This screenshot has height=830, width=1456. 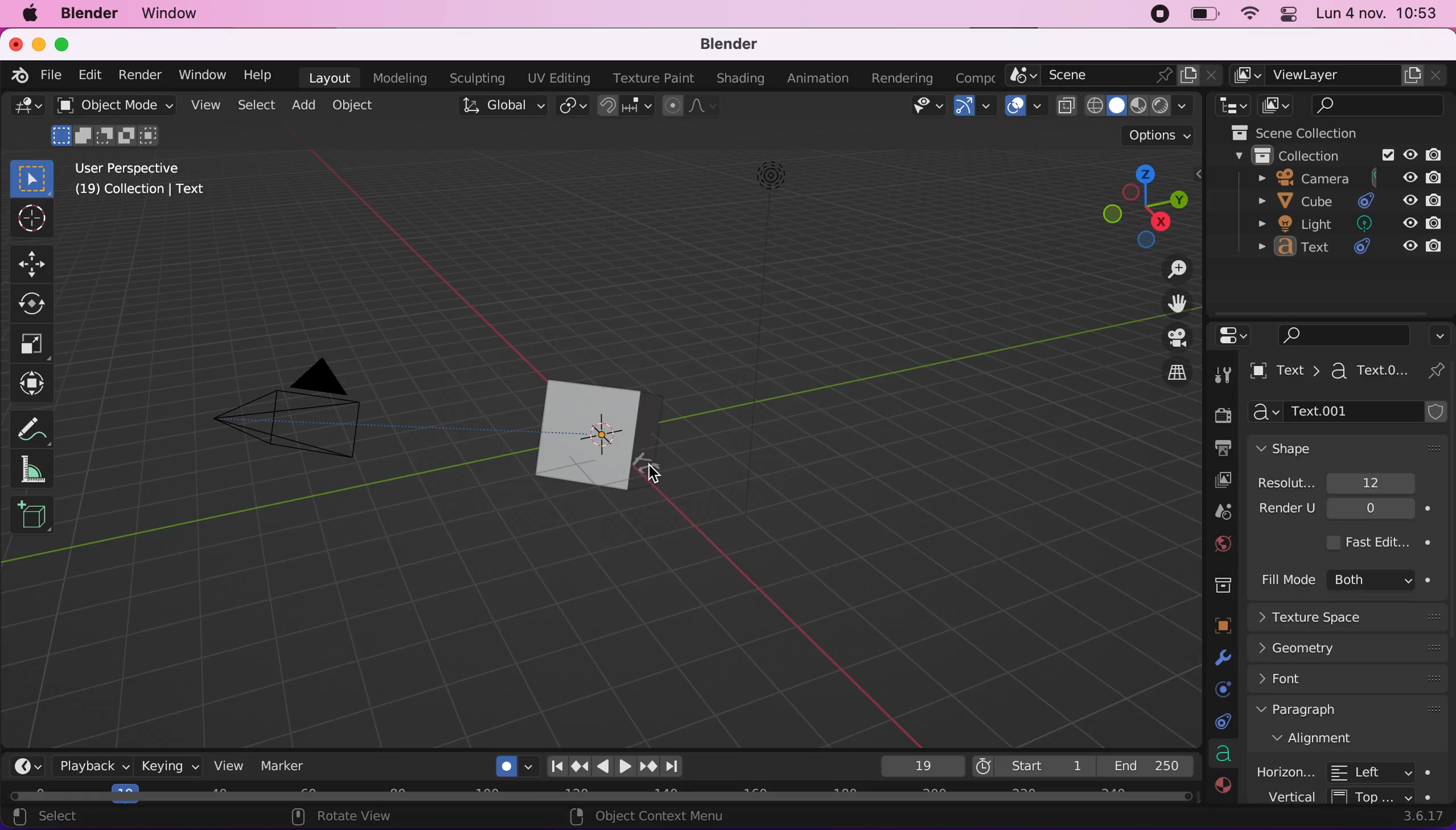 What do you see at coordinates (1220, 723) in the screenshot?
I see `constraints` at bounding box center [1220, 723].